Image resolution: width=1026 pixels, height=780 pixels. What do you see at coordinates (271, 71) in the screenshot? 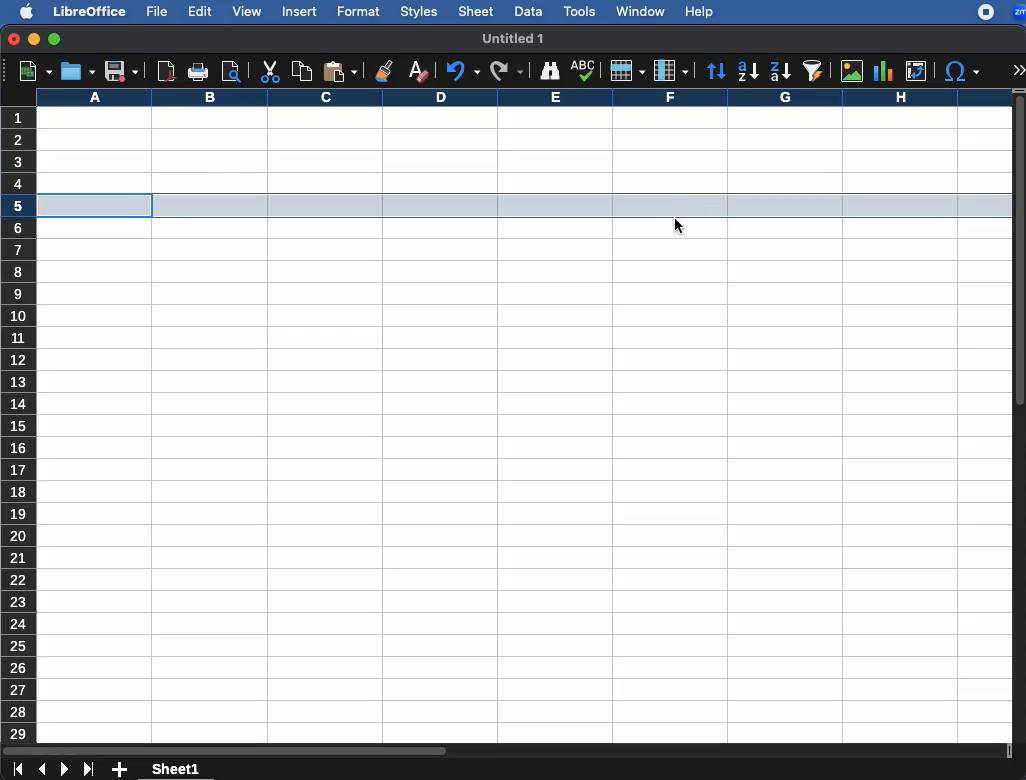
I see `cut` at bounding box center [271, 71].